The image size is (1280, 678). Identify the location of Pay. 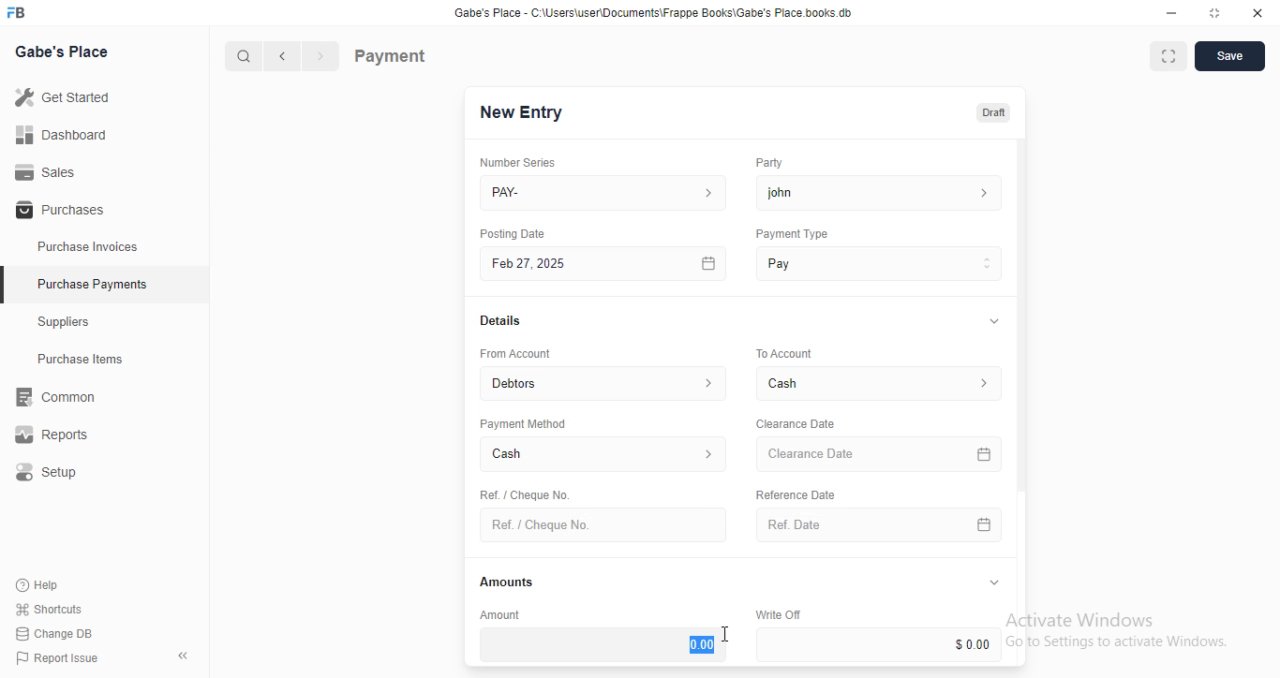
(880, 263).